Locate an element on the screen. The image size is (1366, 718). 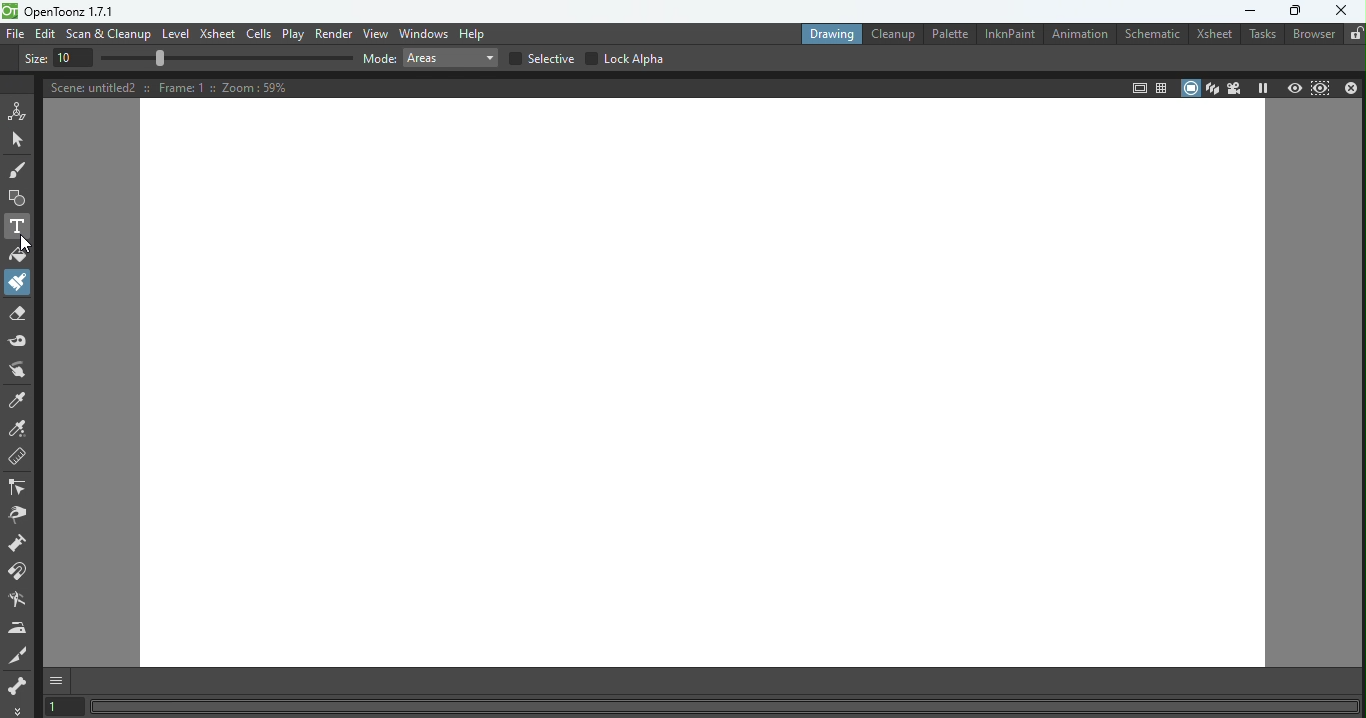
More options is located at coordinates (18, 708).